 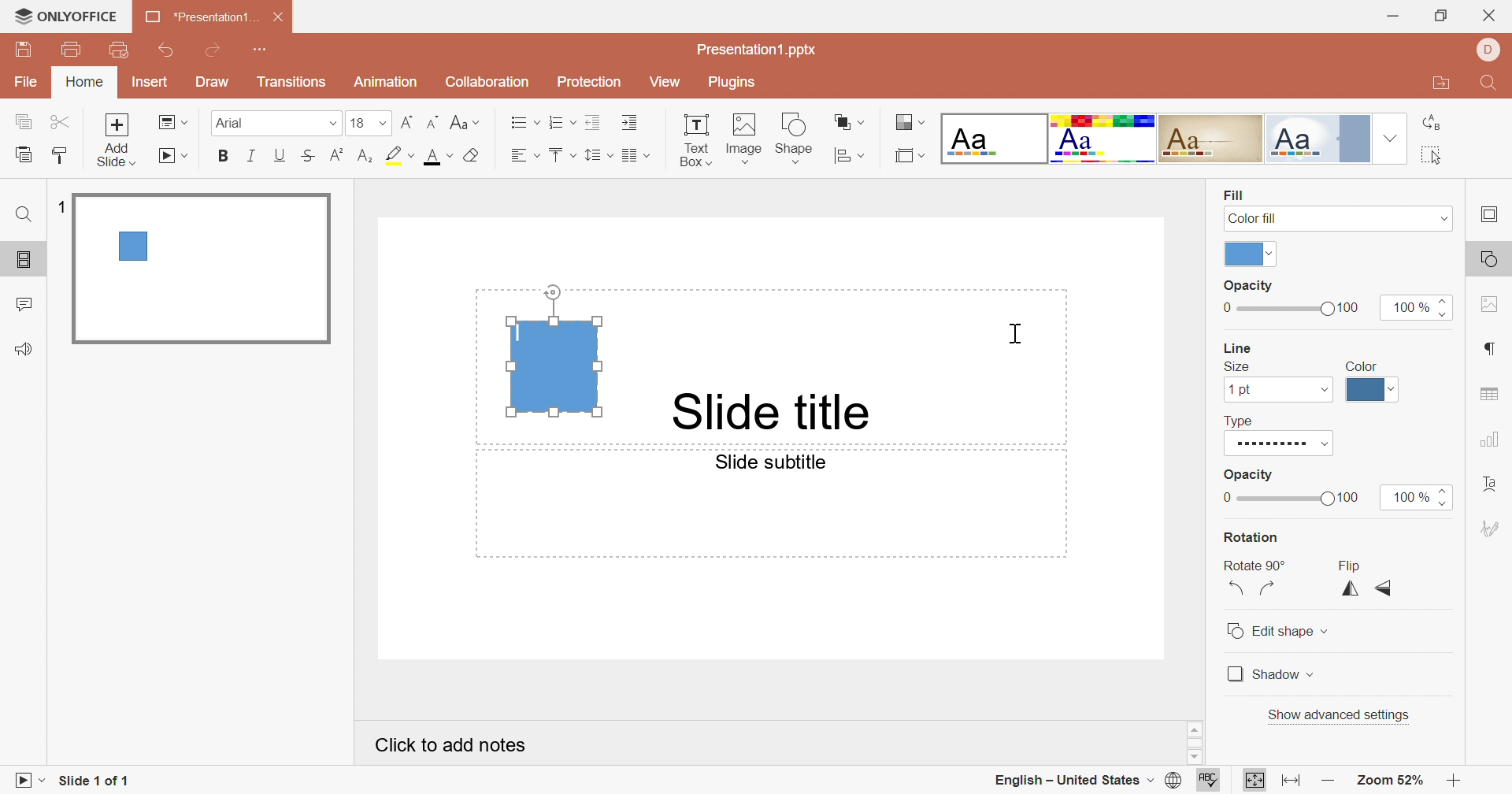 I want to click on Align Top, so click(x=560, y=155).